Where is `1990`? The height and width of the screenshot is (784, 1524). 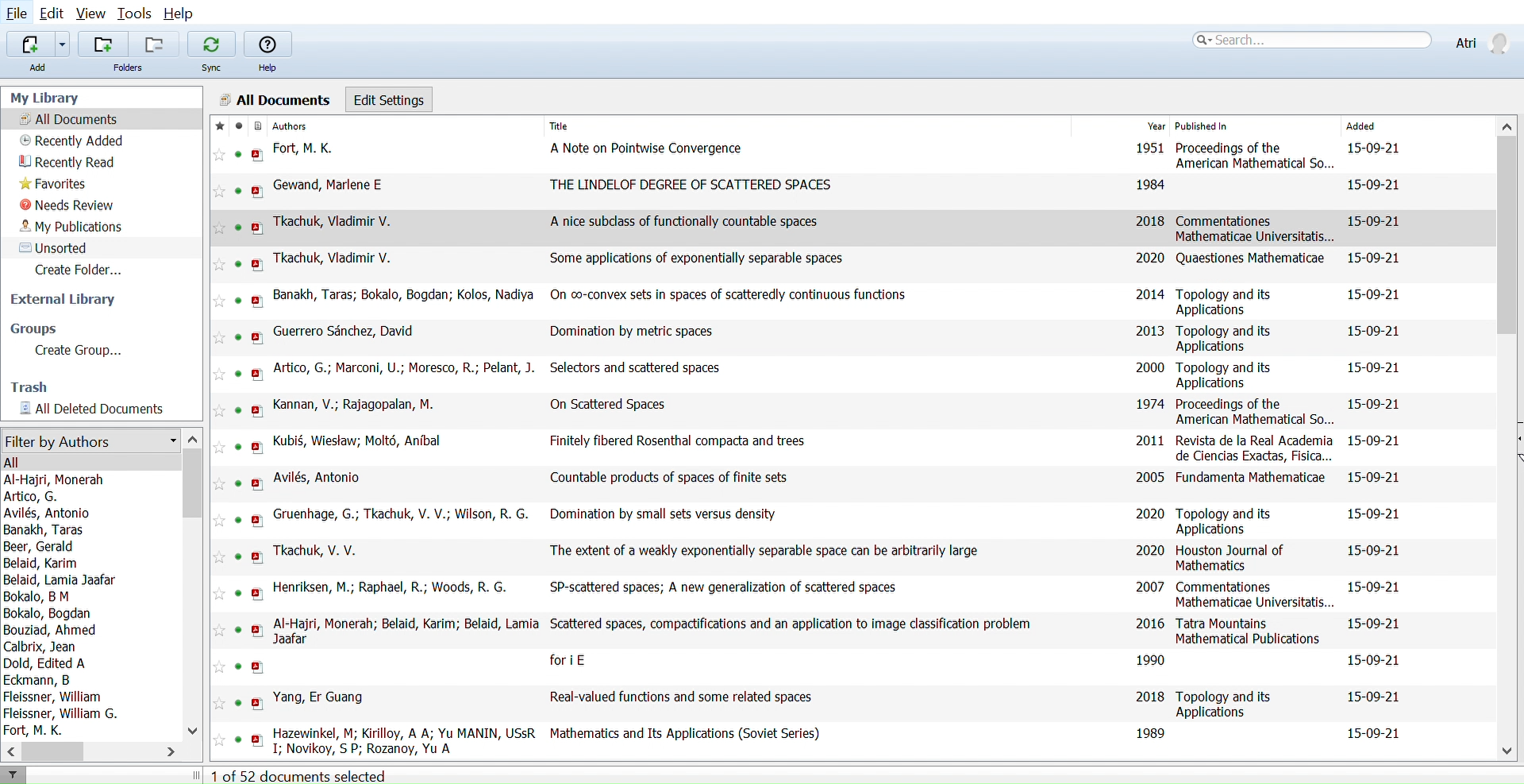
1990 is located at coordinates (1150, 659).